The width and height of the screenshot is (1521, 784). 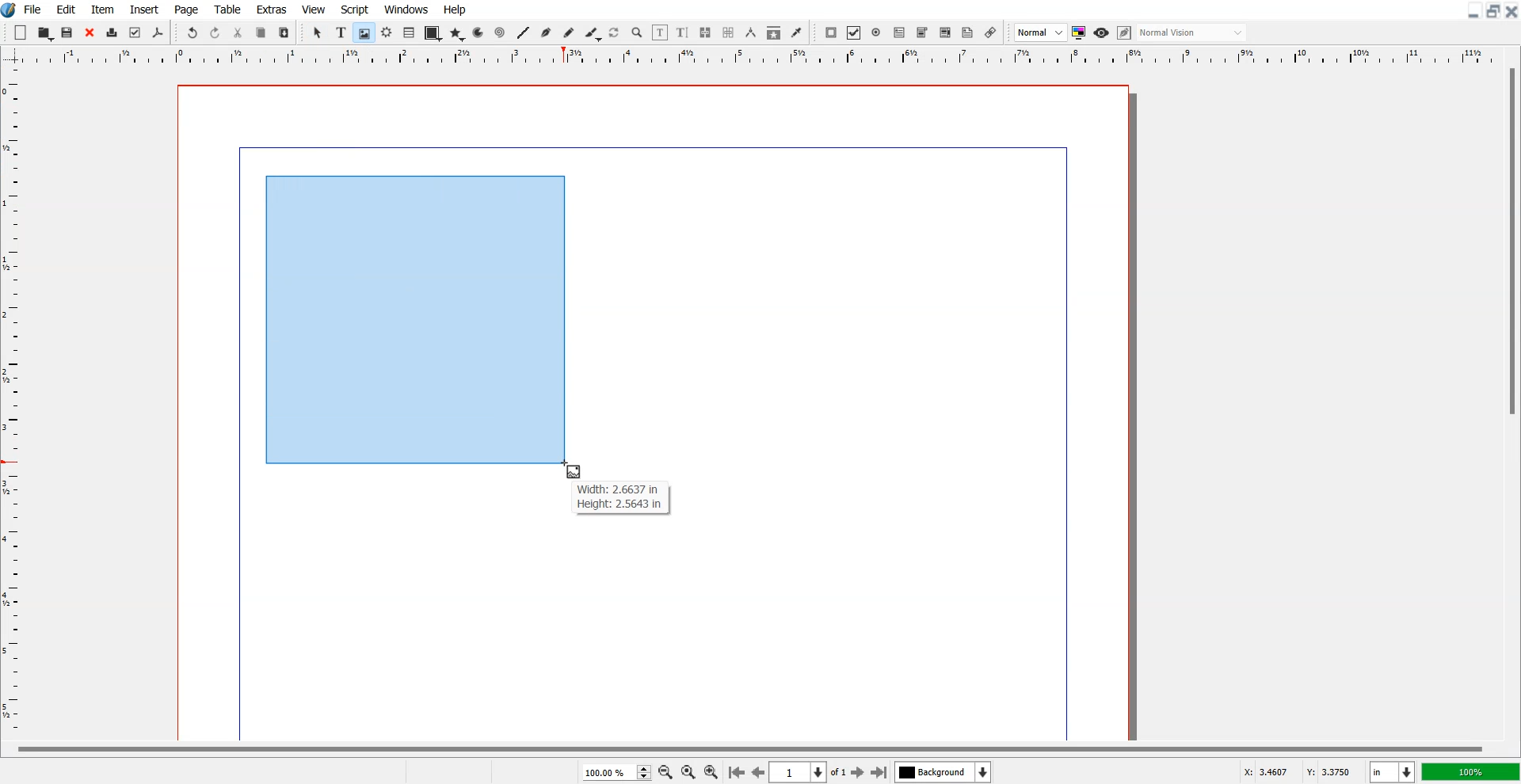 What do you see at coordinates (341, 32) in the screenshot?
I see `Text Frame` at bounding box center [341, 32].